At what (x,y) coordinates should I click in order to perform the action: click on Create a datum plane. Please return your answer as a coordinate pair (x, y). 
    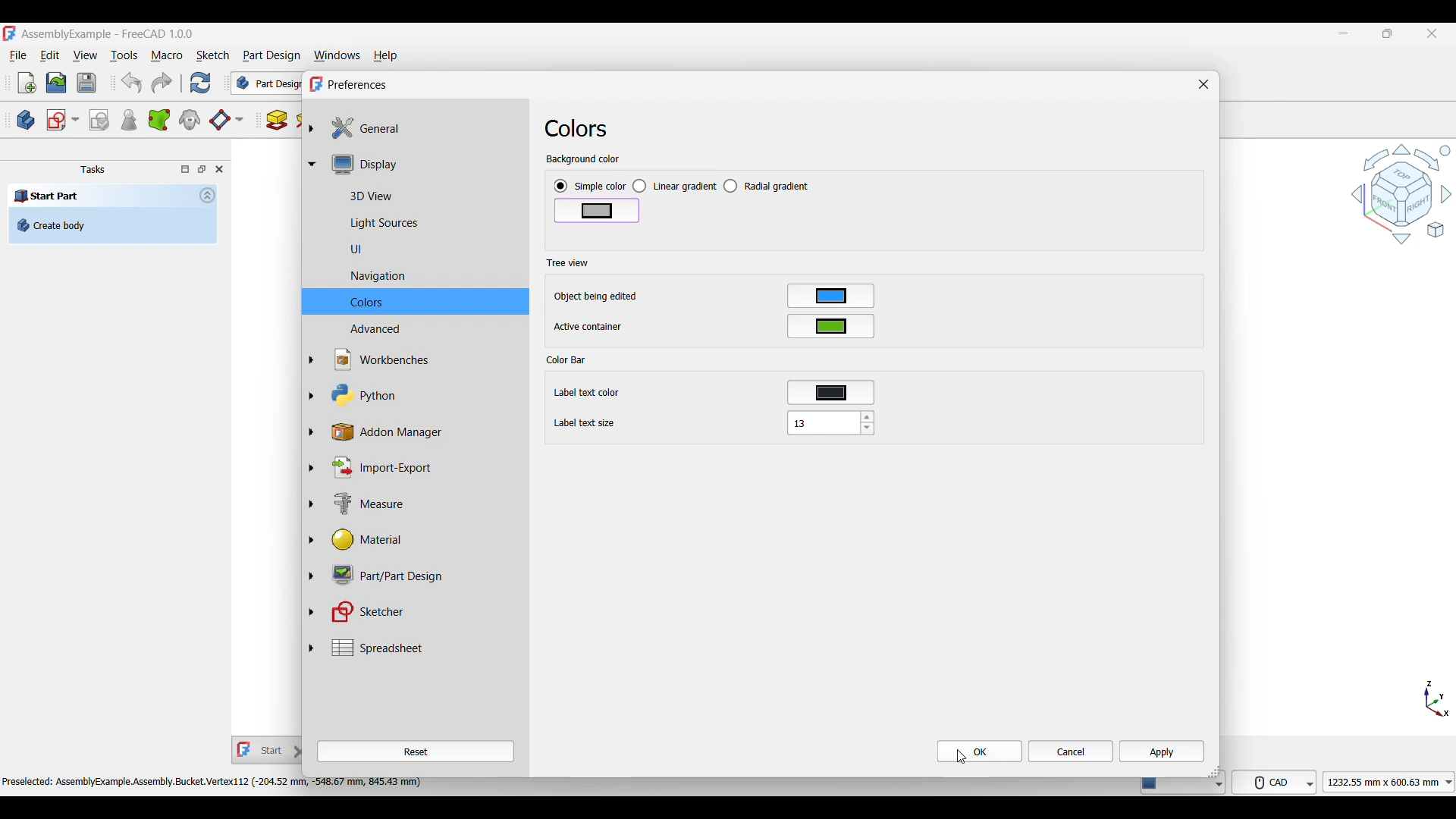
    Looking at the image, I should click on (226, 121).